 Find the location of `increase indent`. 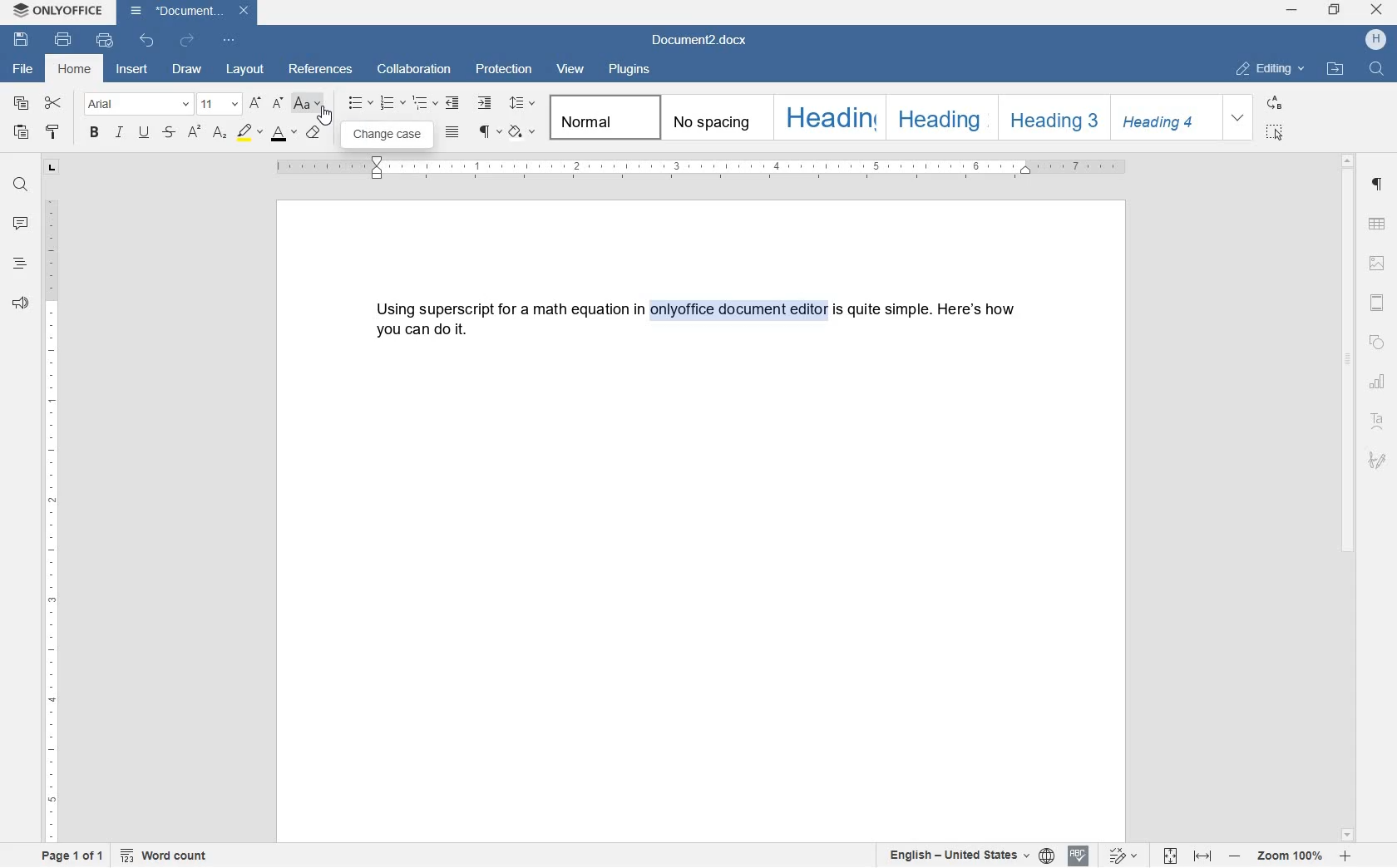

increase indent is located at coordinates (484, 103).